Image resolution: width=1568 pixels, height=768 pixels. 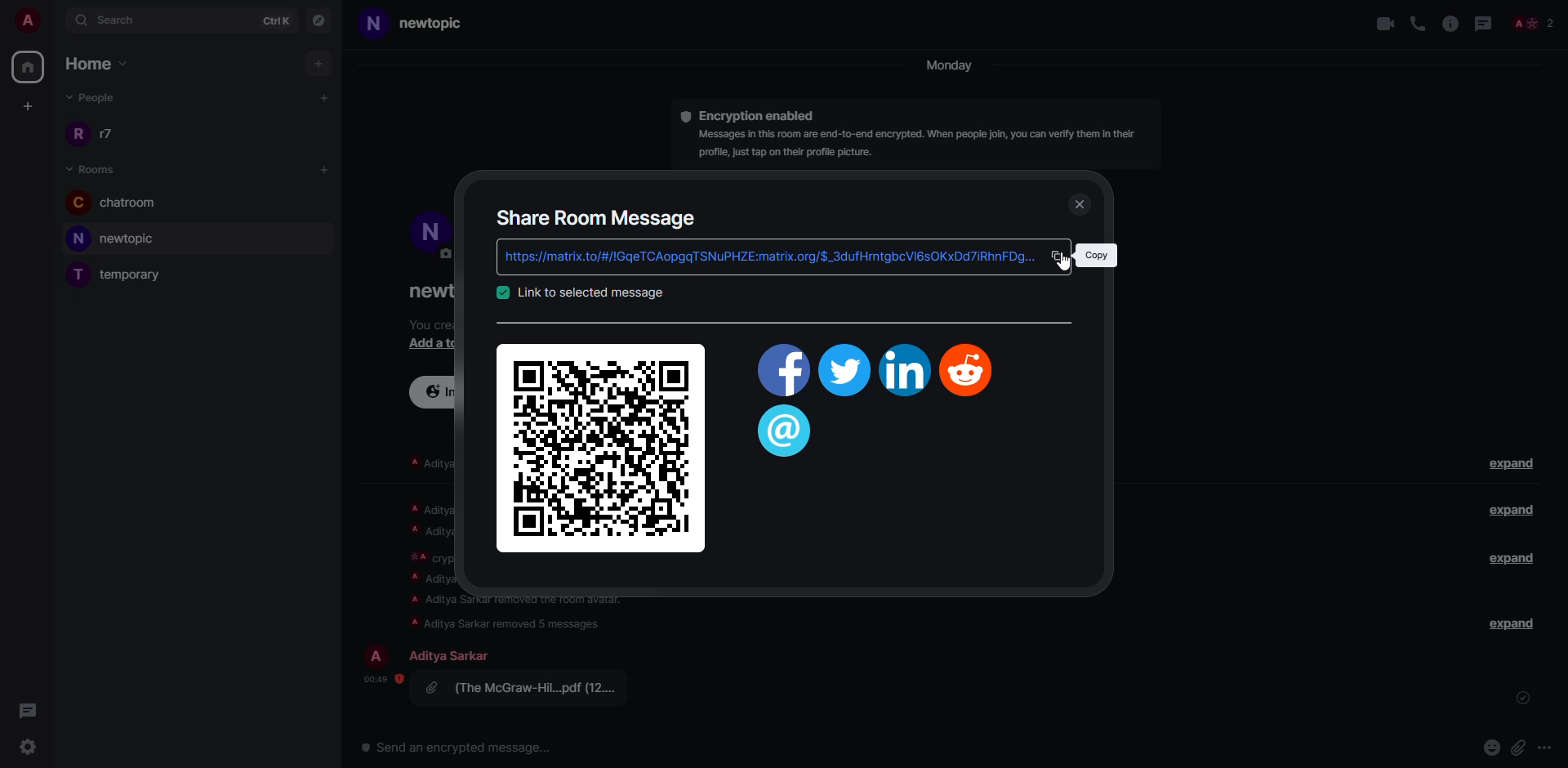 What do you see at coordinates (318, 19) in the screenshot?
I see `navigator` at bounding box center [318, 19].